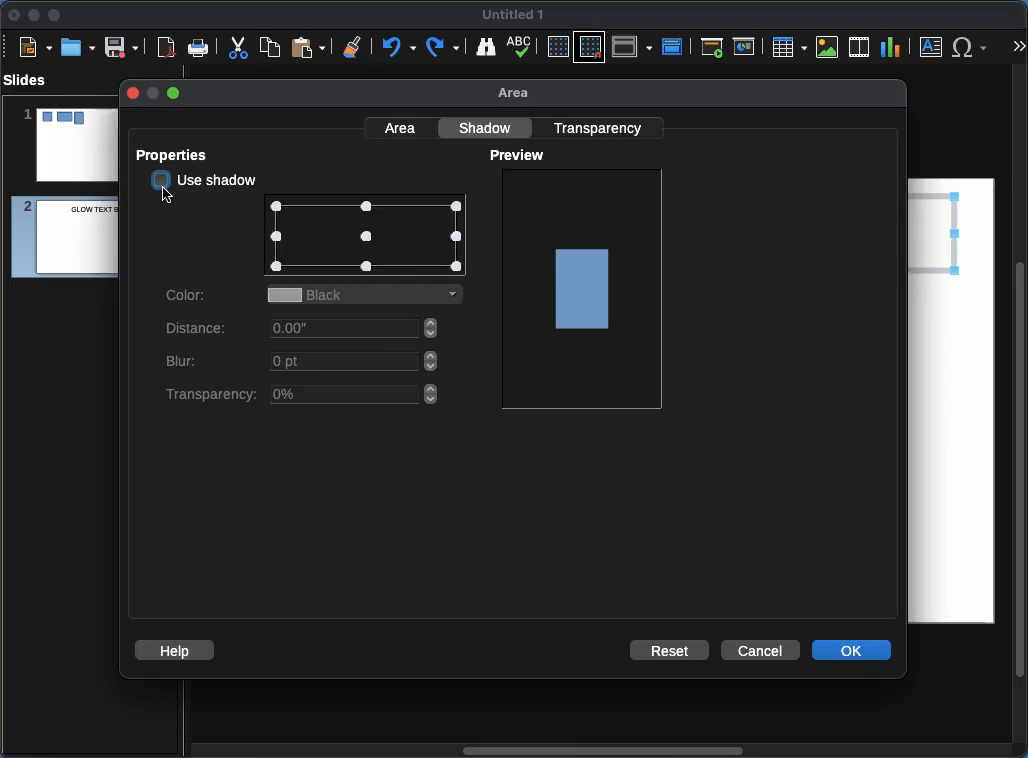  I want to click on Image, so click(584, 287).